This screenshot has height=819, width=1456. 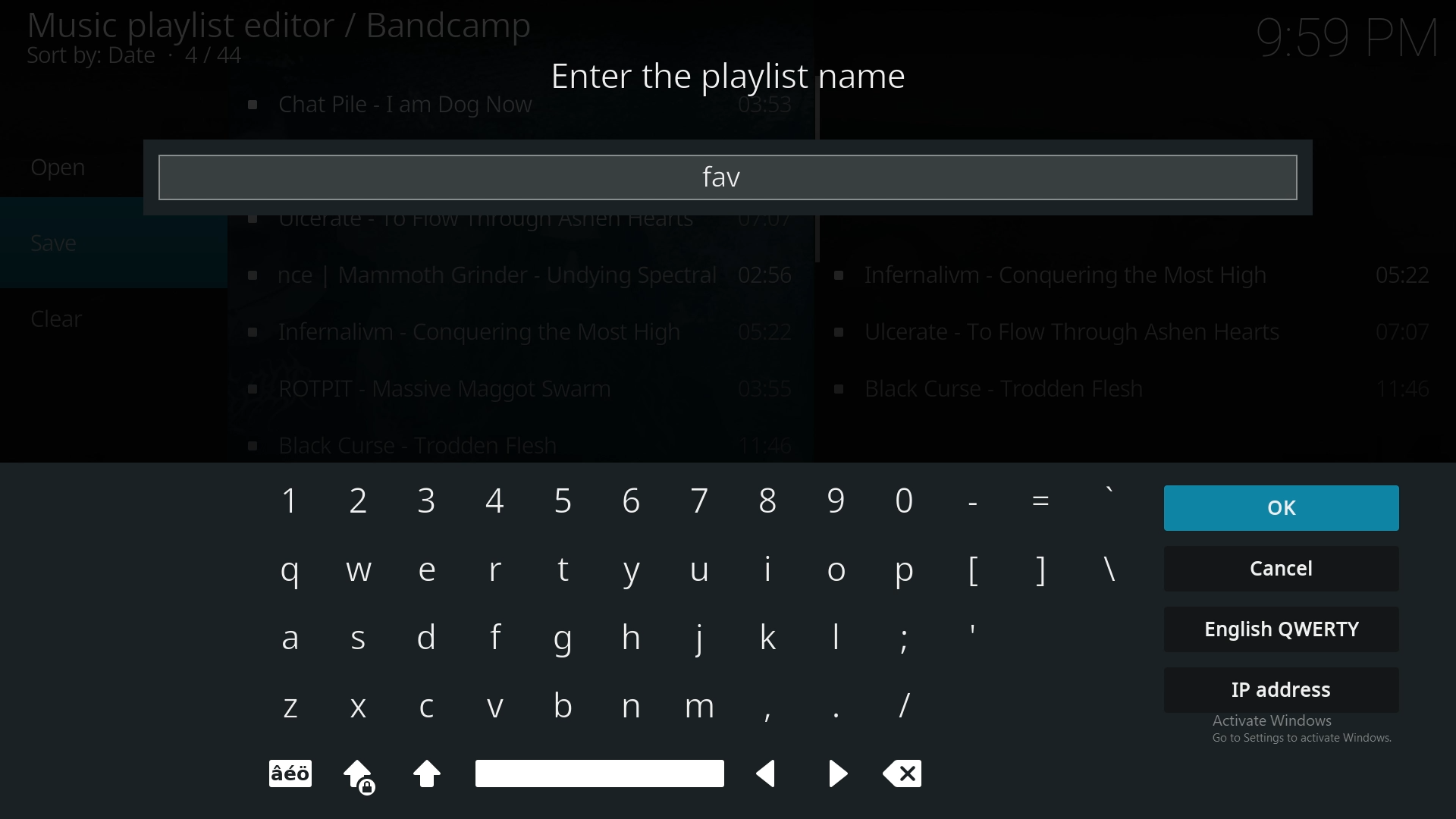 I want to click on cancel, so click(x=1282, y=567).